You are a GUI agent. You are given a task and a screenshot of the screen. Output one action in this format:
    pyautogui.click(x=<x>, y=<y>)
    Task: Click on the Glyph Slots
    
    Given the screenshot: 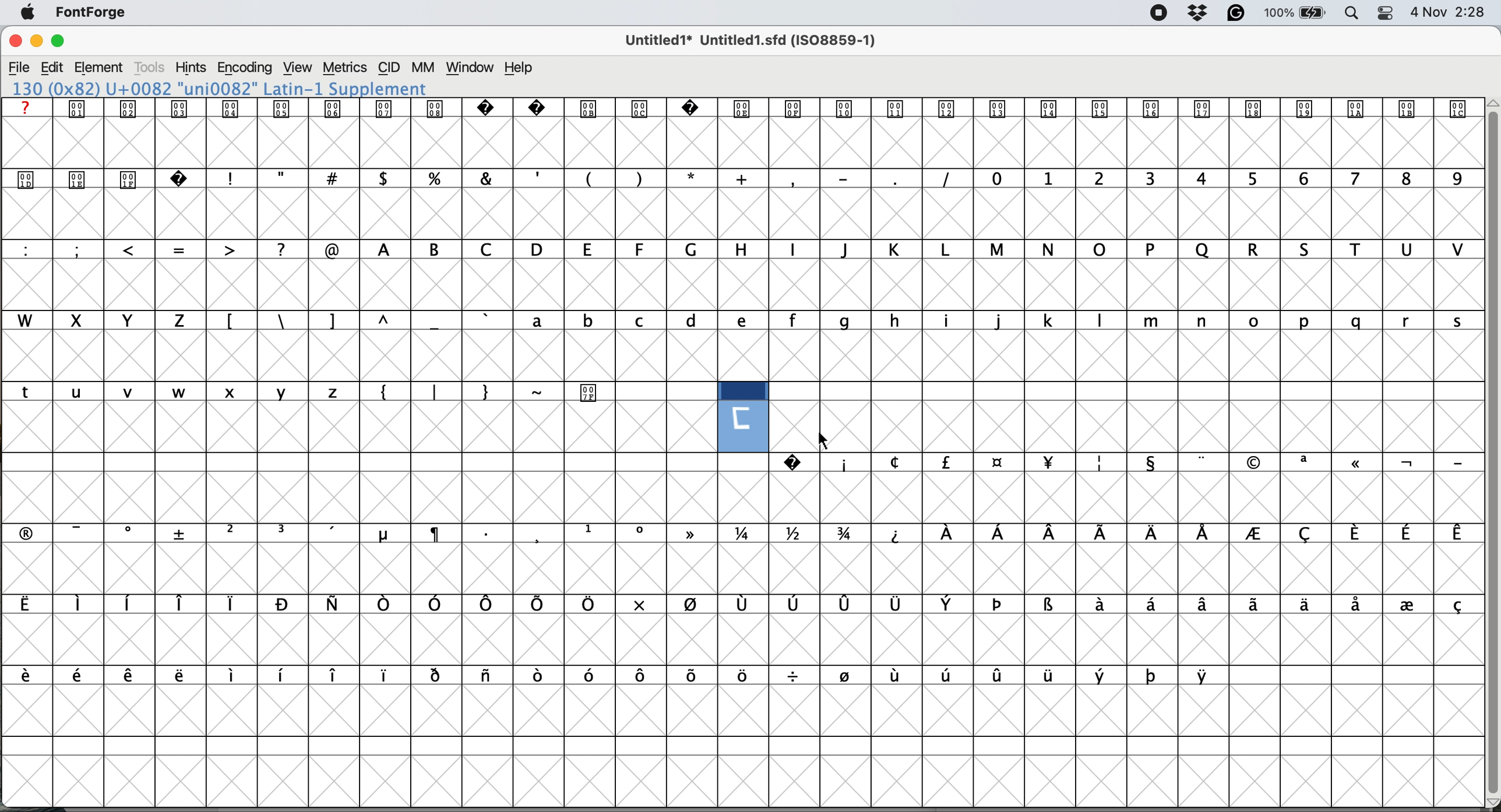 What is the action you would take?
    pyautogui.click(x=1118, y=462)
    